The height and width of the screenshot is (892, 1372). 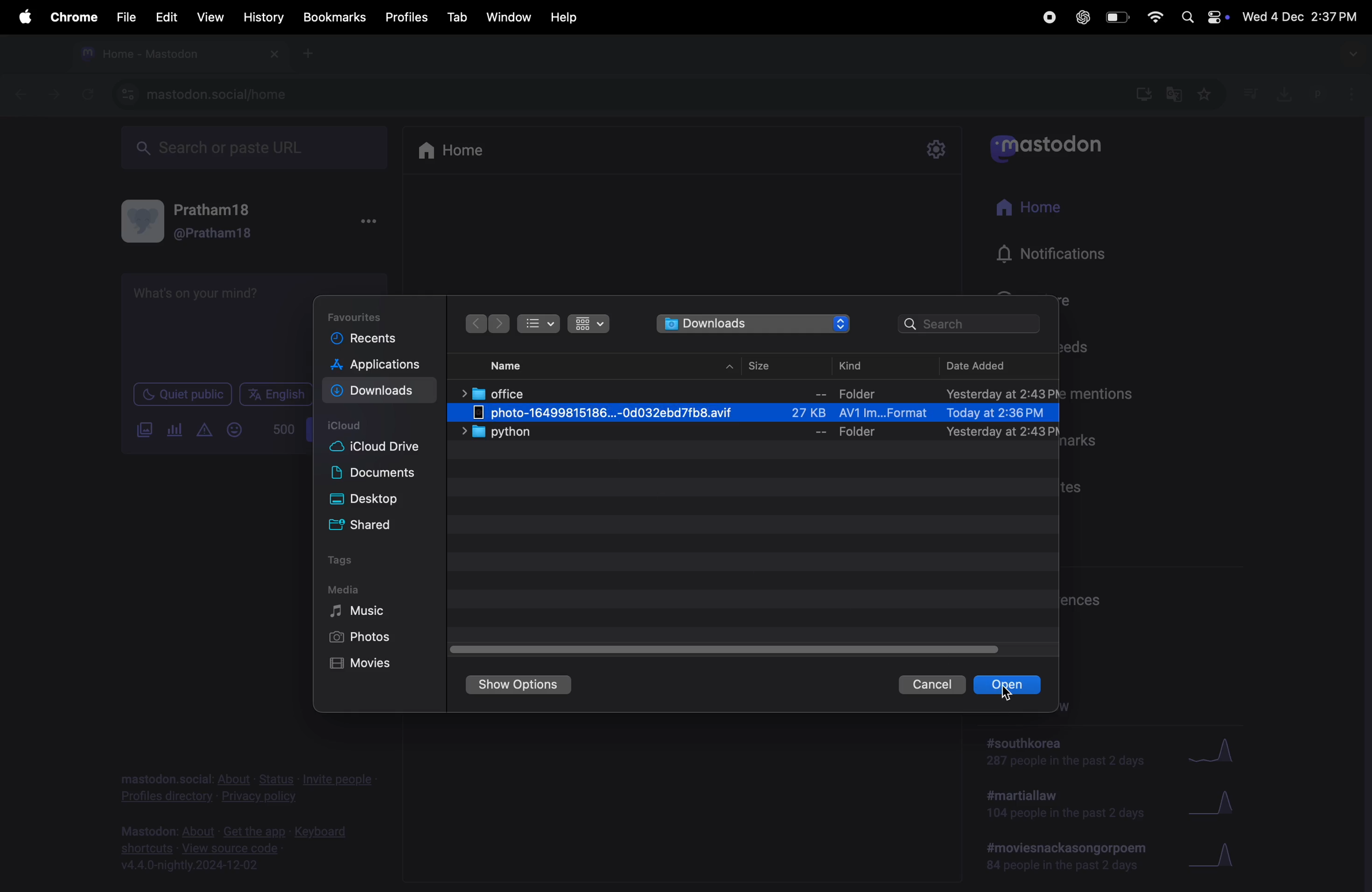 I want to click on alerts, so click(x=203, y=430).